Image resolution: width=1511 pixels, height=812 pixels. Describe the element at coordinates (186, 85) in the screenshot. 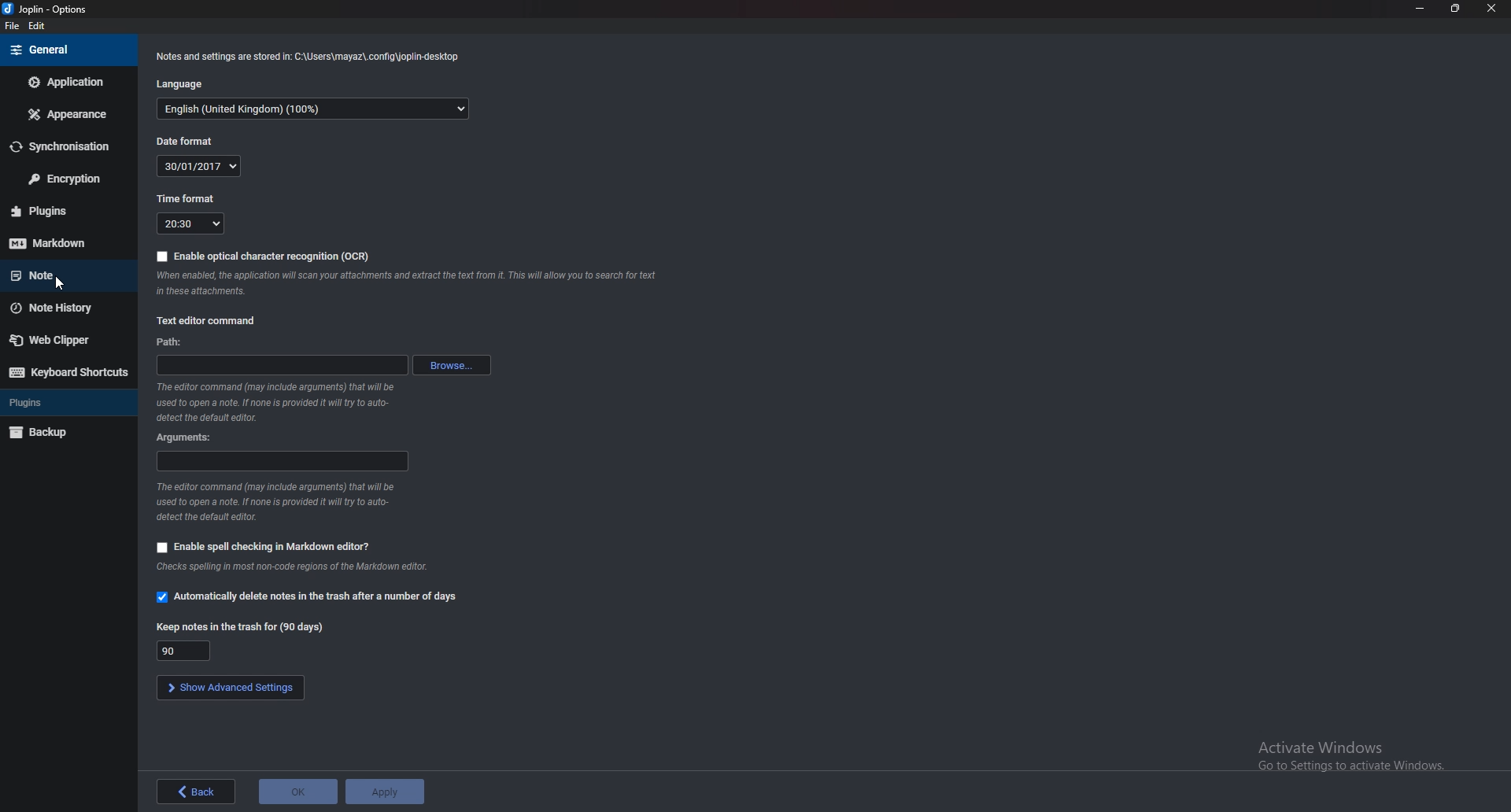

I see `Language` at that location.